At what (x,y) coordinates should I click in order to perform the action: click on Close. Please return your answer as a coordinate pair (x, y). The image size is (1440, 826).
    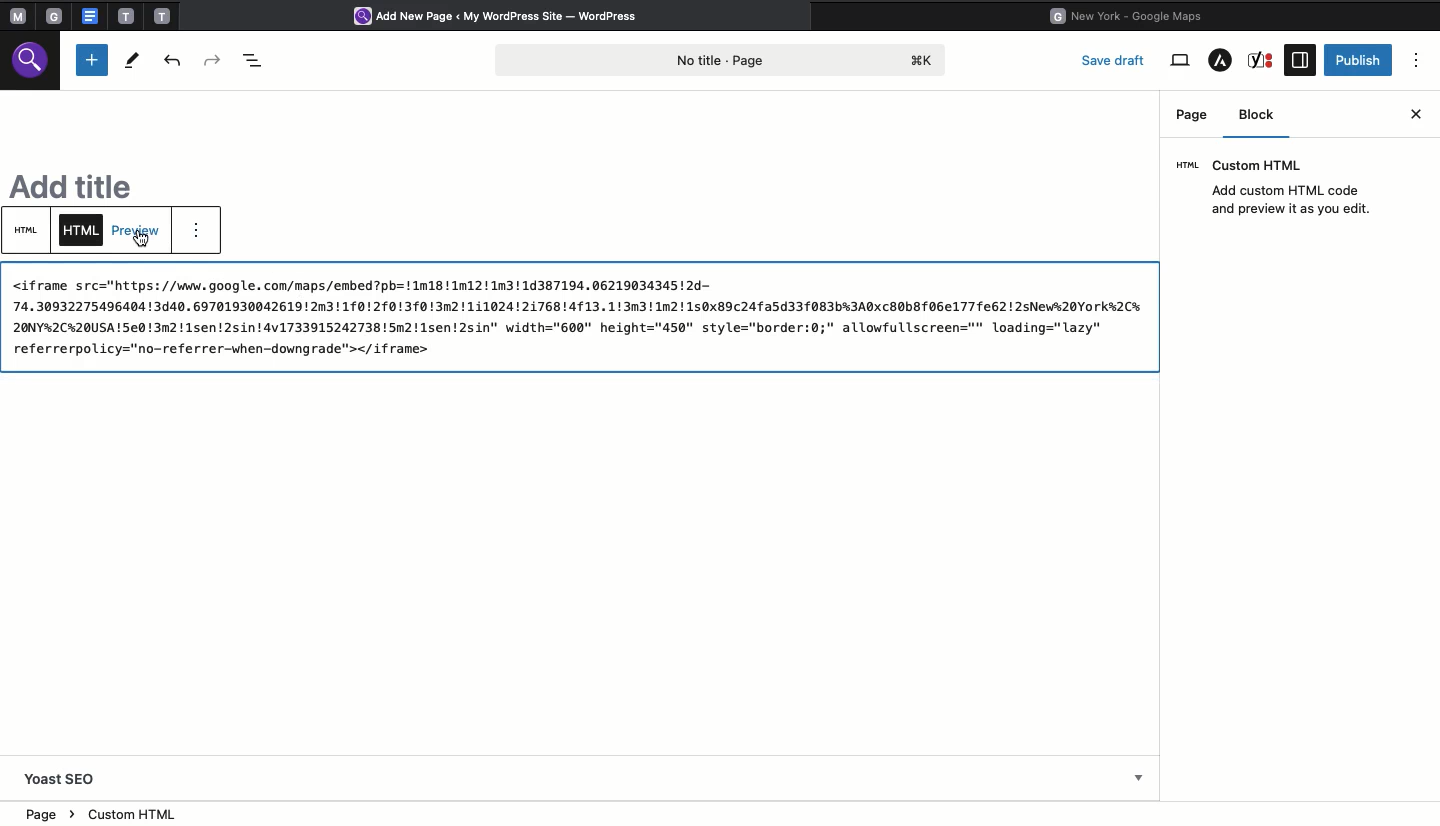
    Looking at the image, I should click on (1417, 112).